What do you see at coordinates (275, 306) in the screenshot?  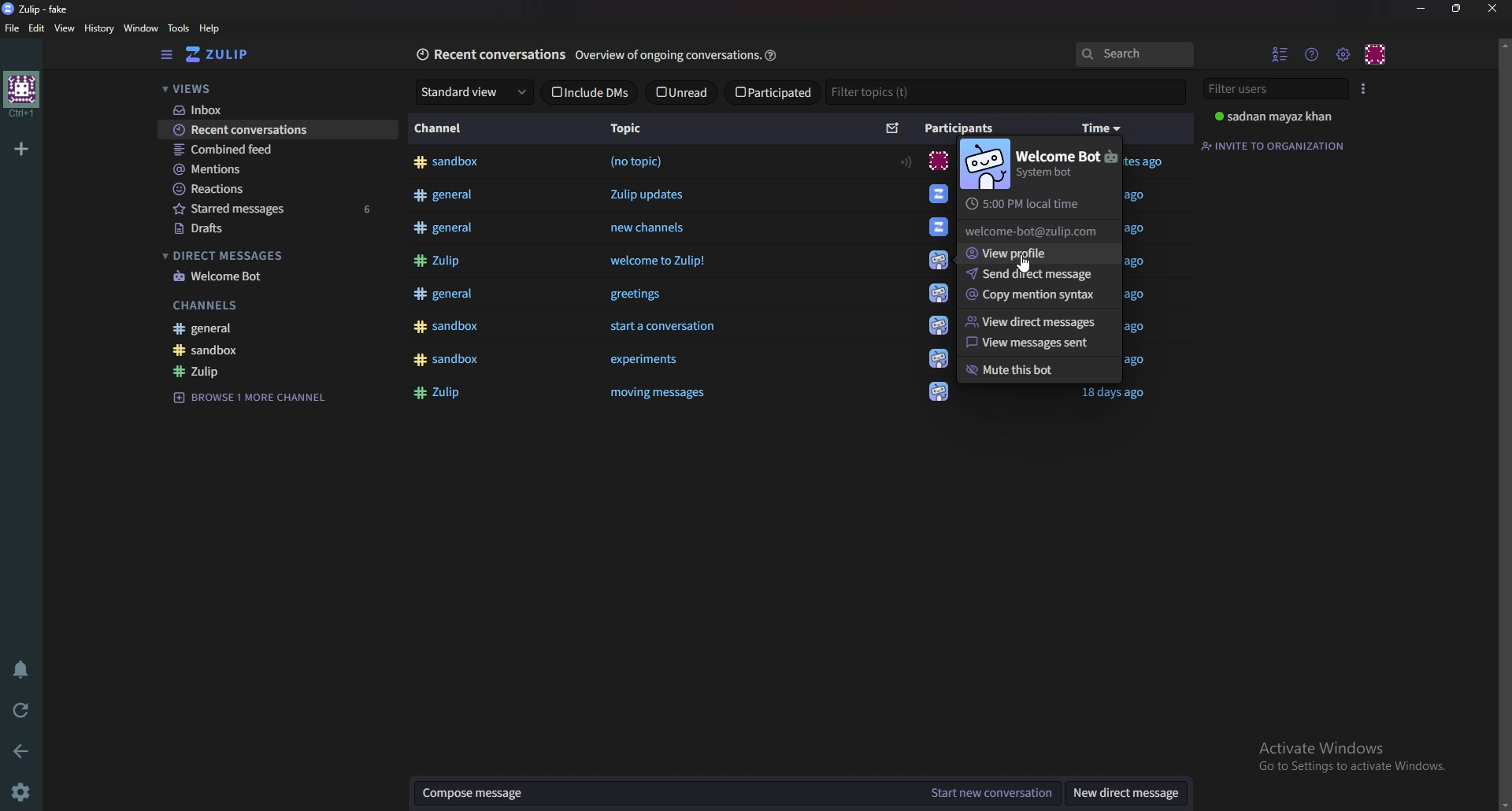 I see `Channels` at bounding box center [275, 306].